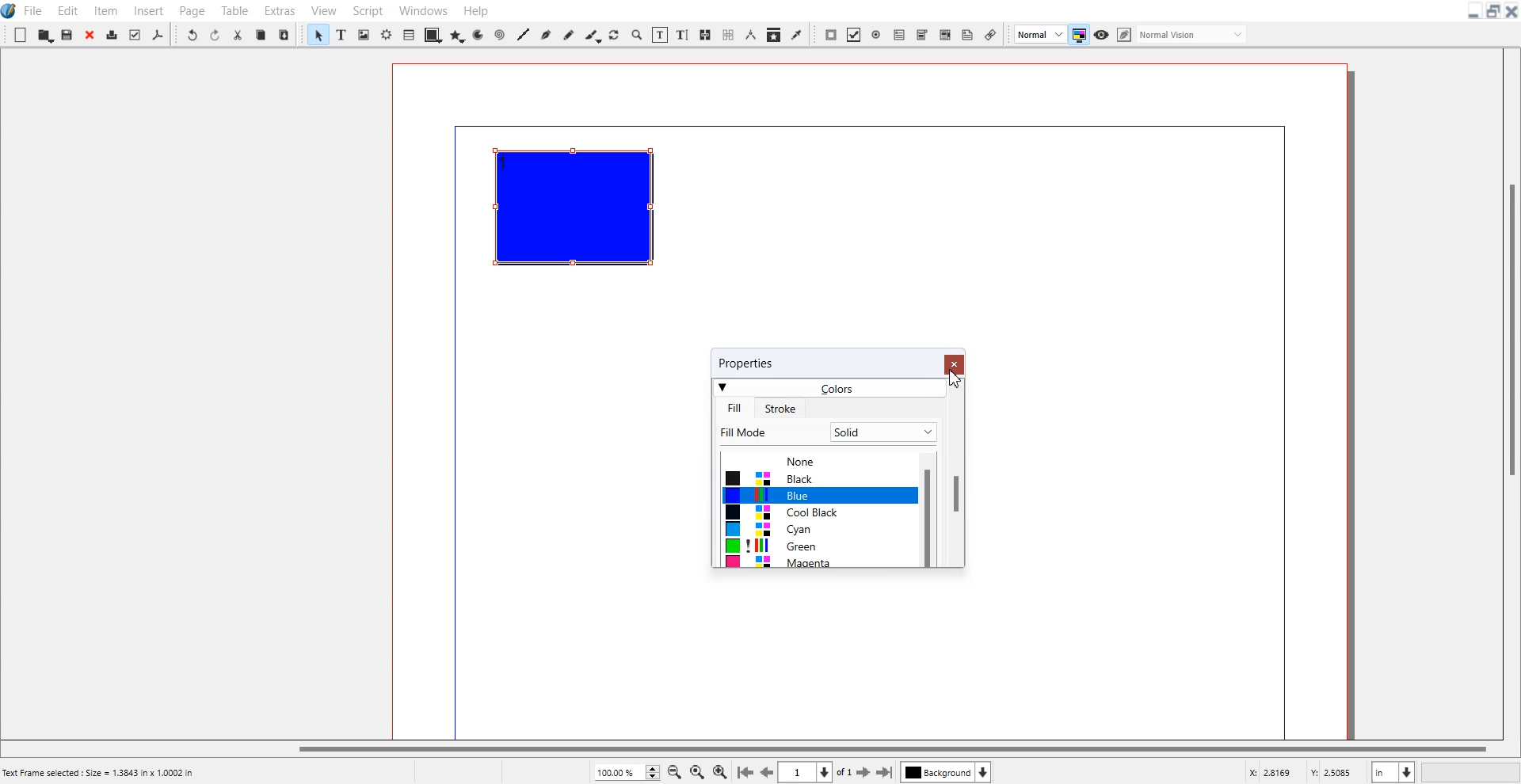 This screenshot has width=1521, height=784. Describe the element at coordinates (363, 34) in the screenshot. I see `Image frame` at that location.